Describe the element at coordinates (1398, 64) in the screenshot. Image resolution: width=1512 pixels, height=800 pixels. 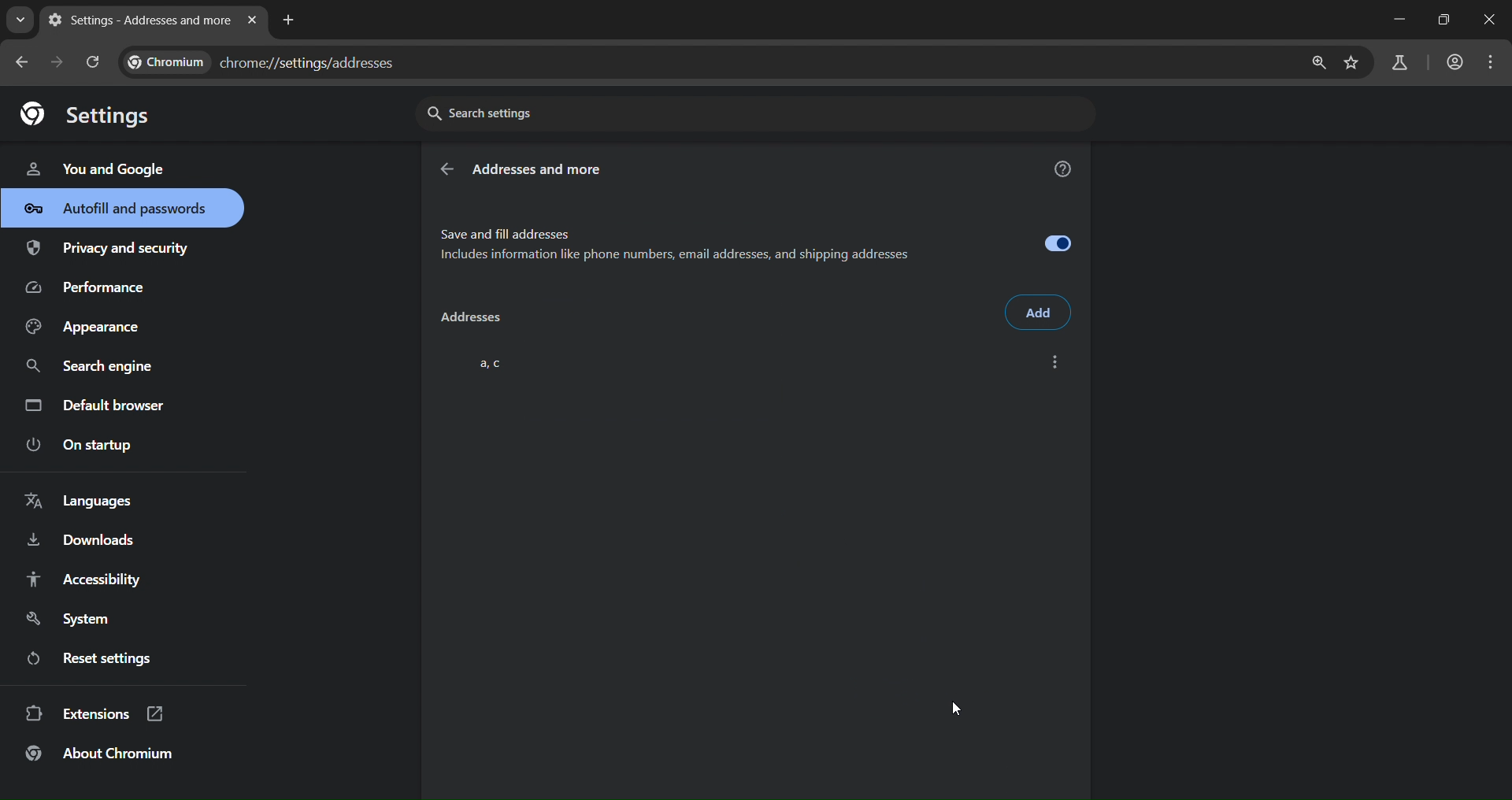
I see `search panel` at that location.